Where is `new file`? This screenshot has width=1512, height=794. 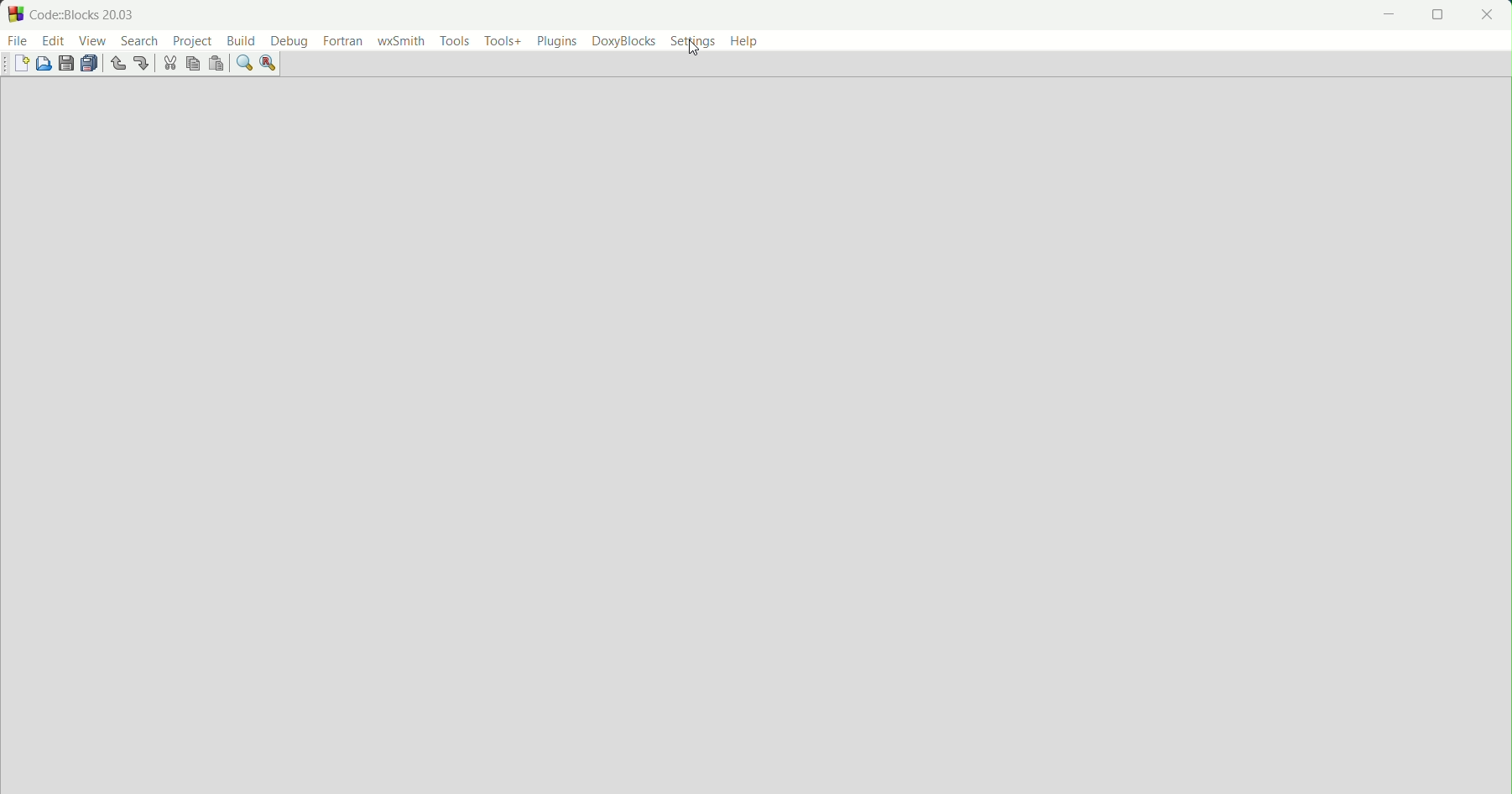 new file is located at coordinates (23, 65).